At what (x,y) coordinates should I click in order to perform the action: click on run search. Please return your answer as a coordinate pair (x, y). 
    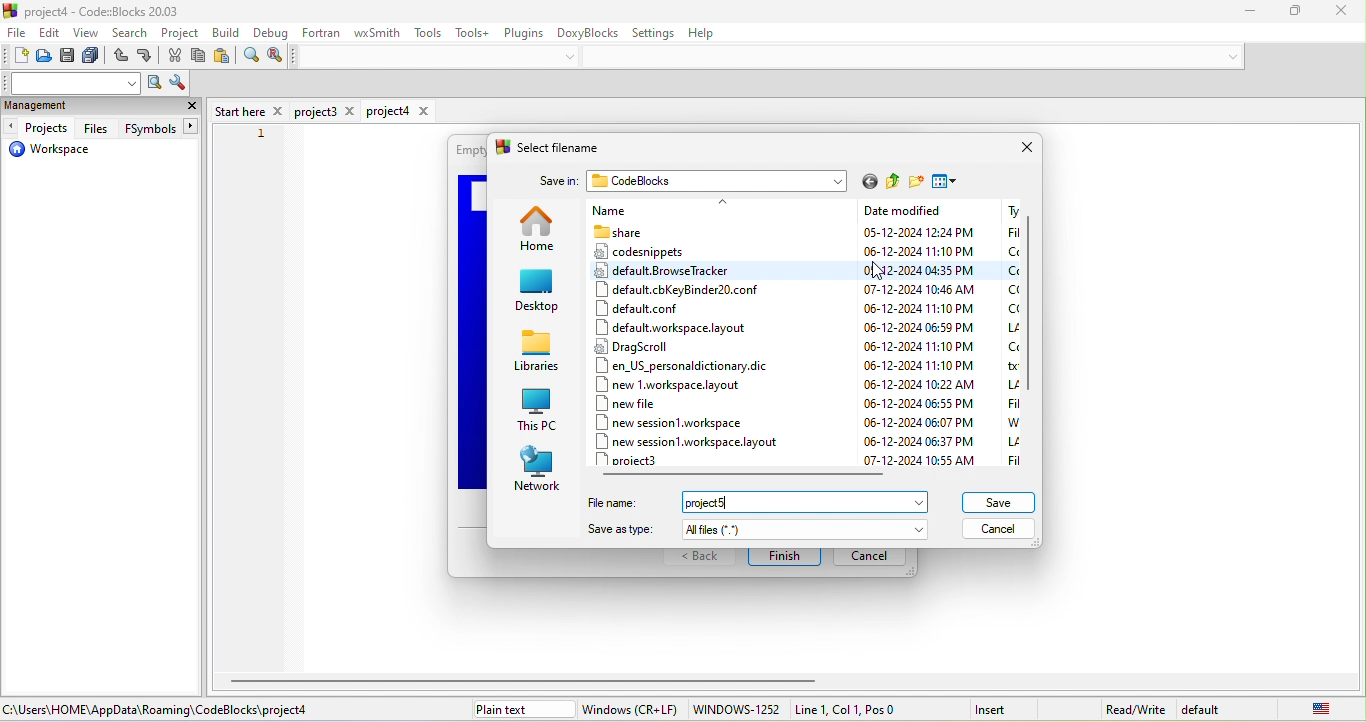
    Looking at the image, I should click on (154, 84).